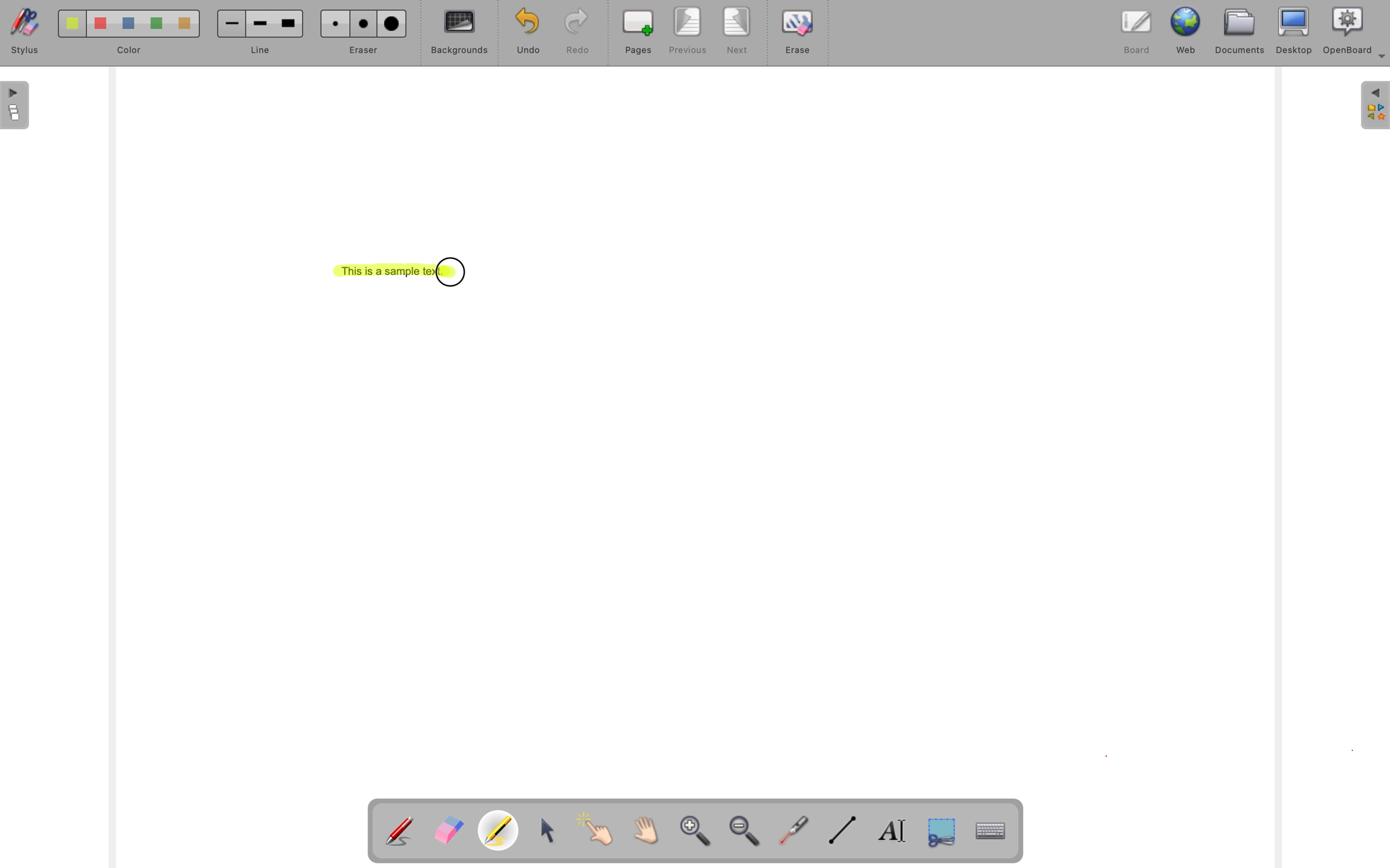  What do you see at coordinates (185, 24) in the screenshot?
I see `Color 5` at bounding box center [185, 24].